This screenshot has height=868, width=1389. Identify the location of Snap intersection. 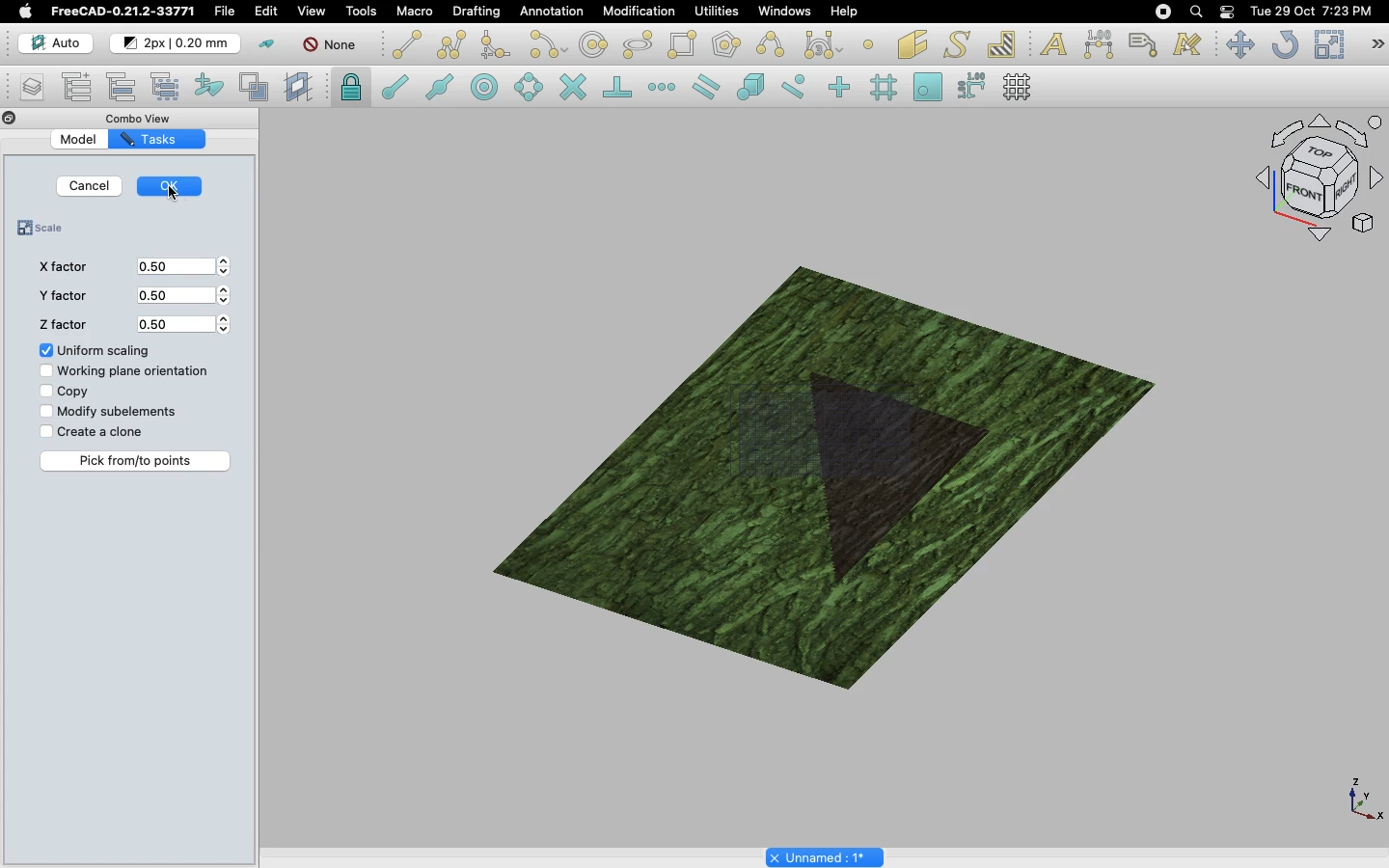
(572, 85).